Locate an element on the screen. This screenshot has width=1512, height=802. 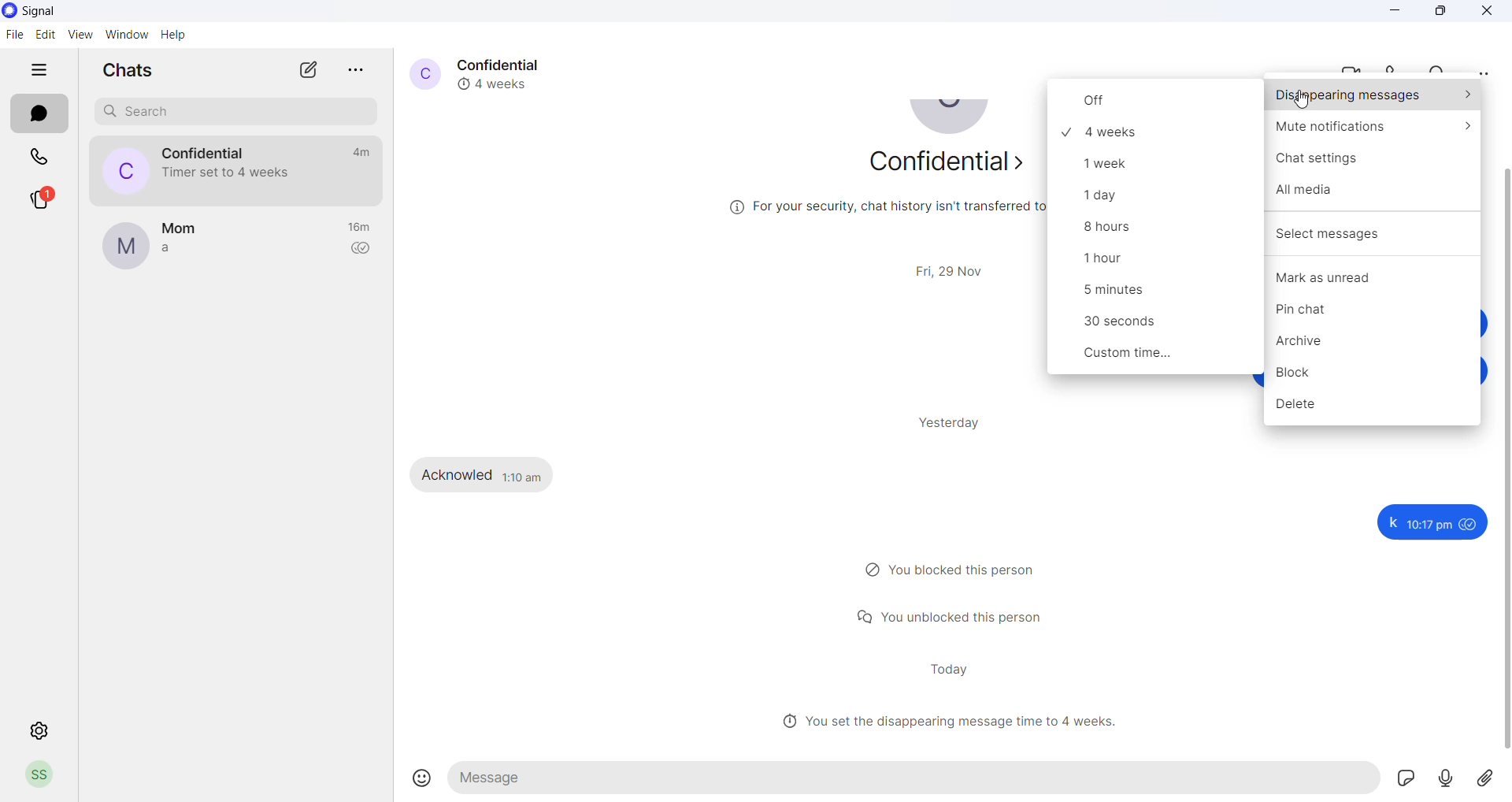
message text area is located at coordinates (918, 778).